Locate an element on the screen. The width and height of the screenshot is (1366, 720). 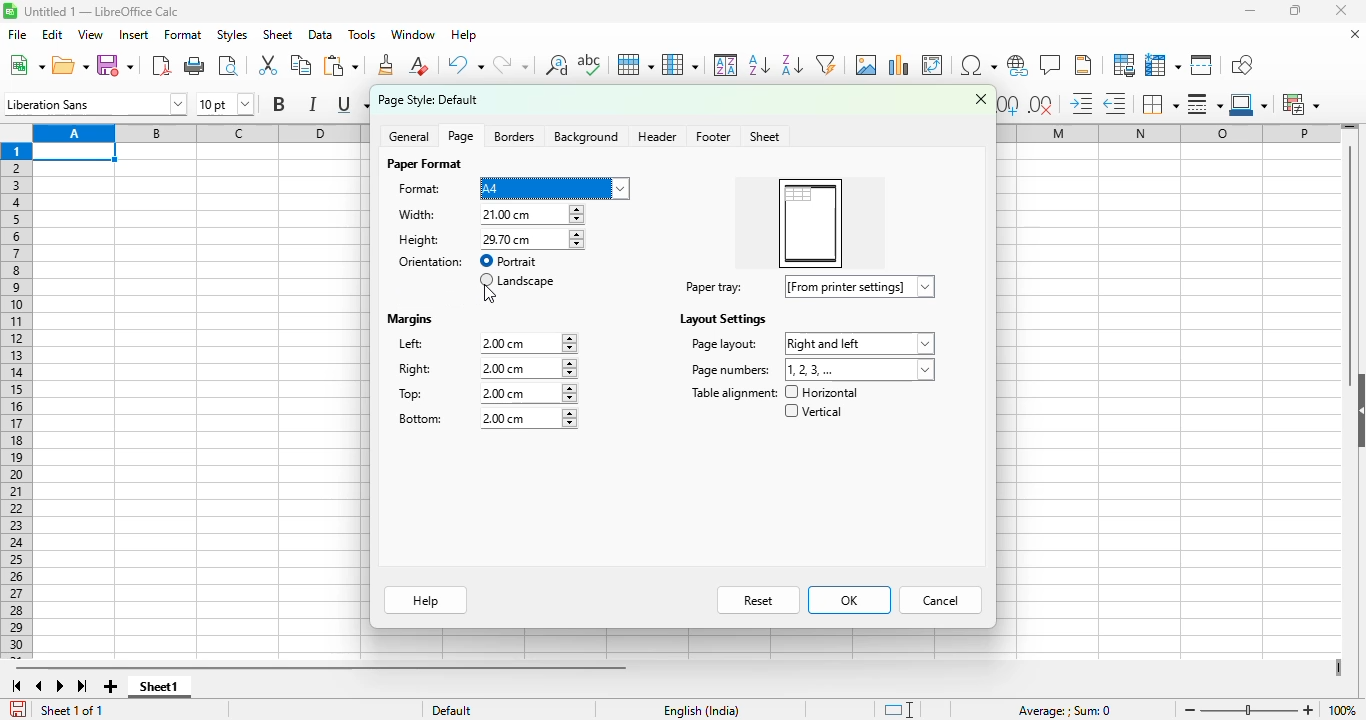
general is located at coordinates (410, 136).